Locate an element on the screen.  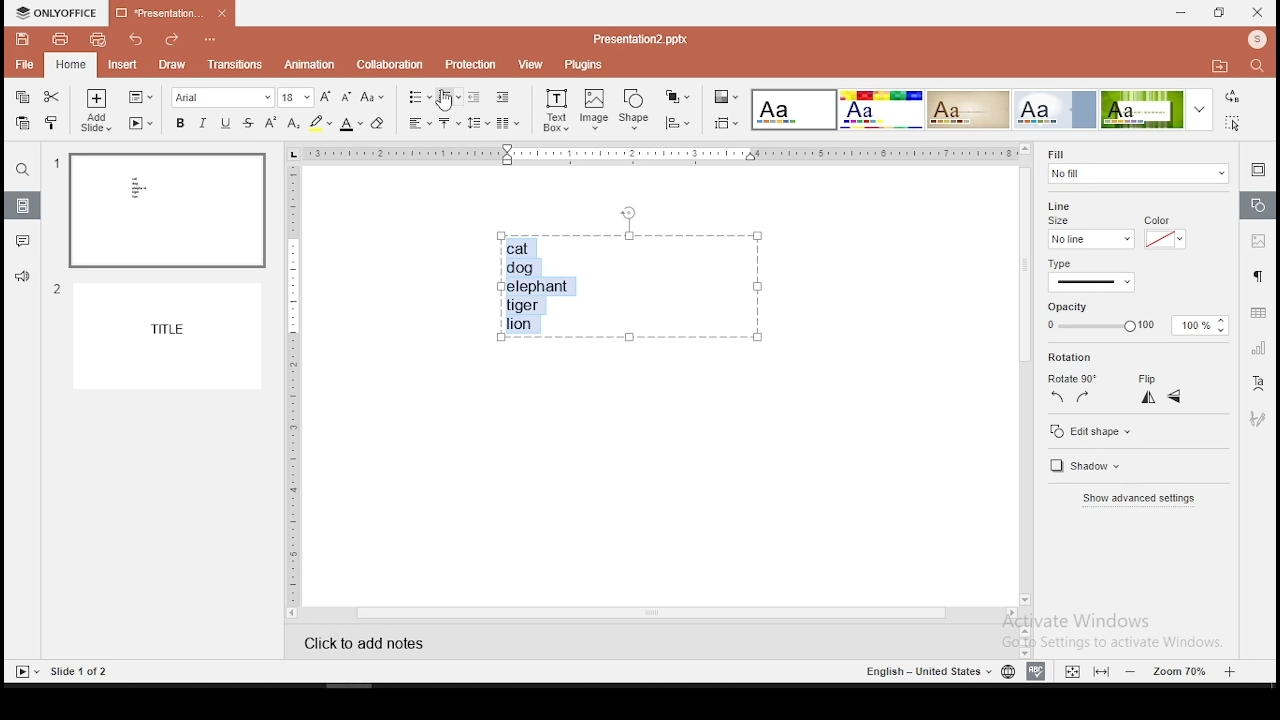
change slide layout is located at coordinates (140, 96).